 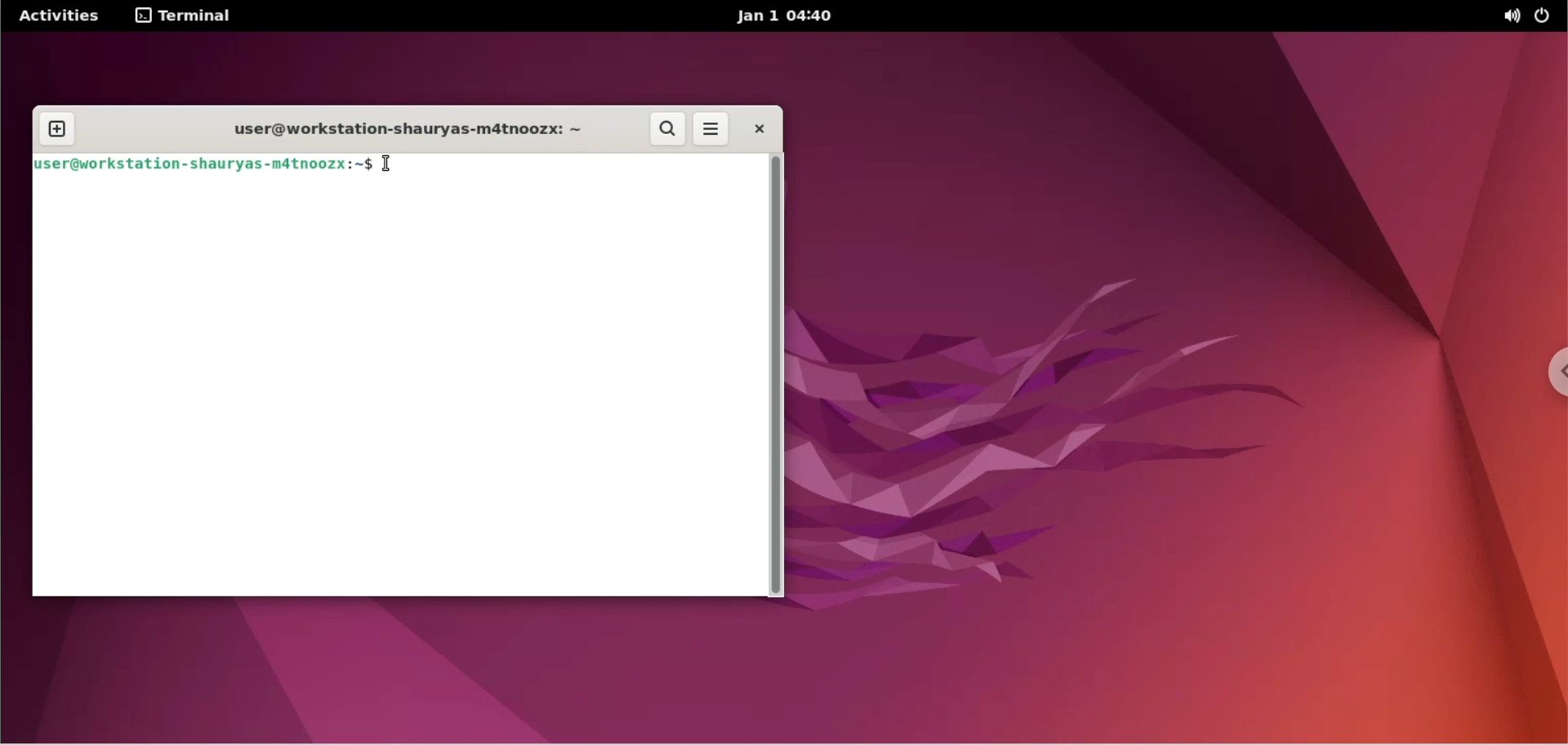 I want to click on user@workstation-shauryas-m4tnoozx: ~, so click(x=405, y=129).